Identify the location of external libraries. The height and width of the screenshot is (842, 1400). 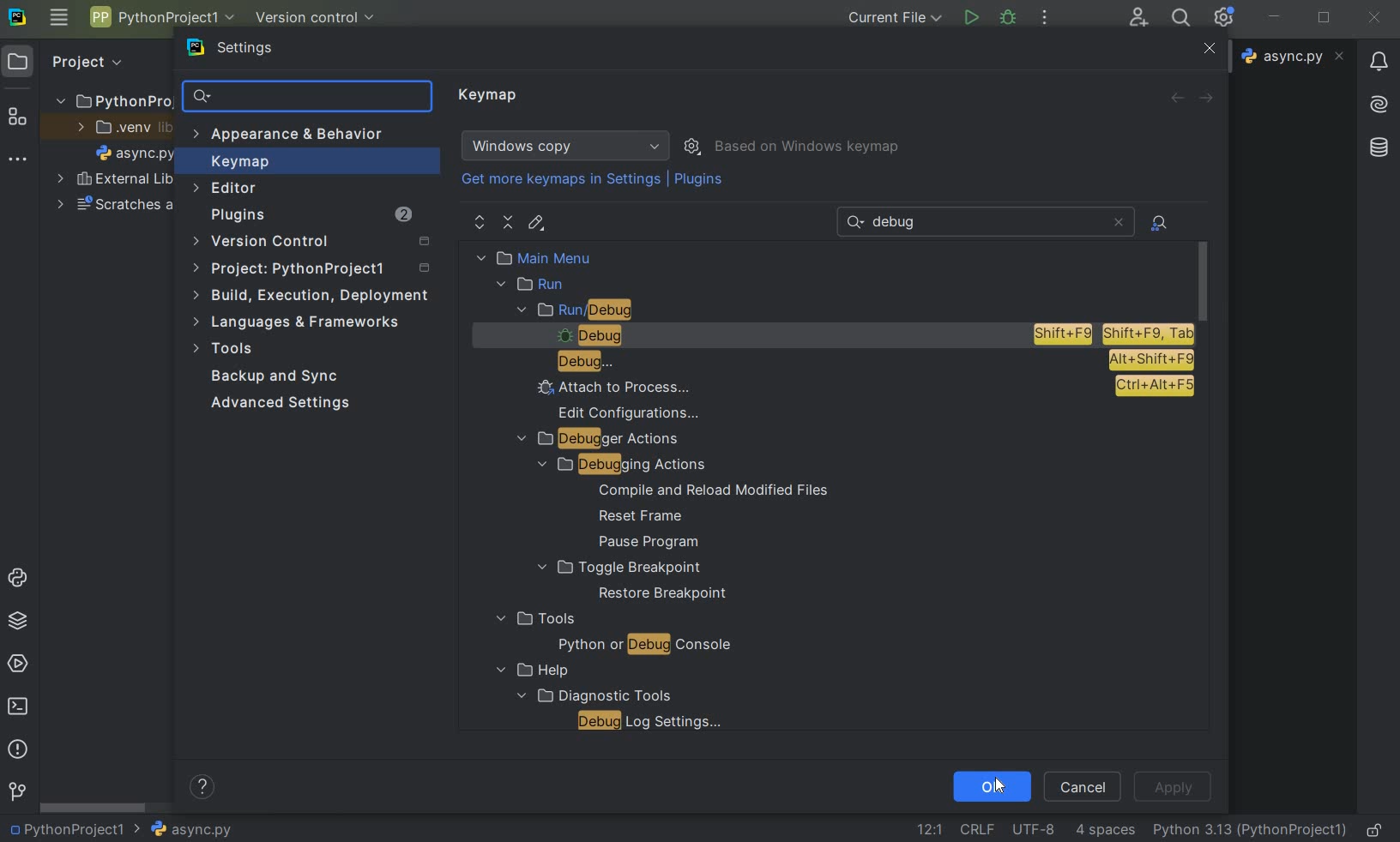
(115, 181).